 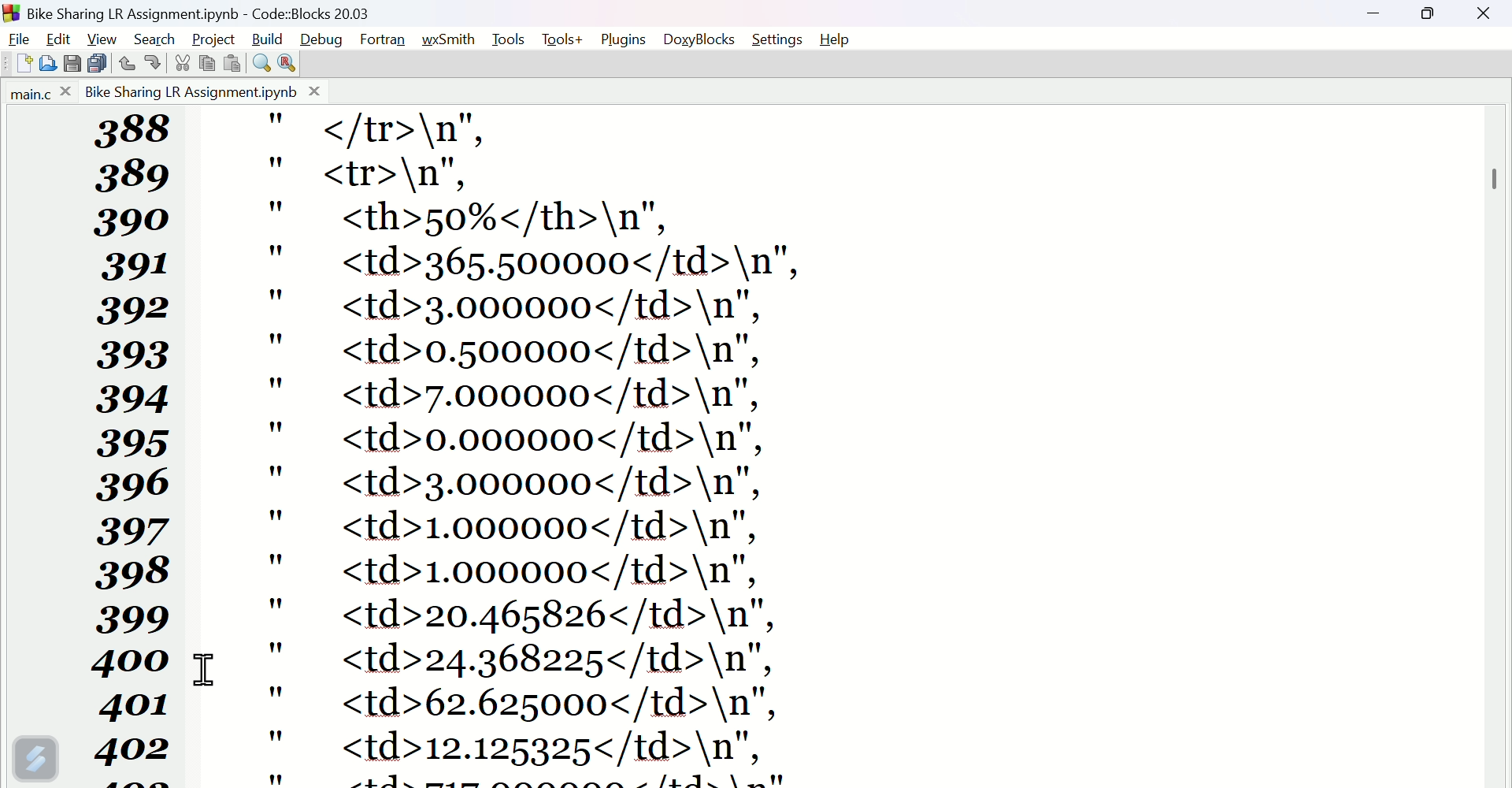 What do you see at coordinates (287, 62) in the screenshot?
I see `Replace` at bounding box center [287, 62].